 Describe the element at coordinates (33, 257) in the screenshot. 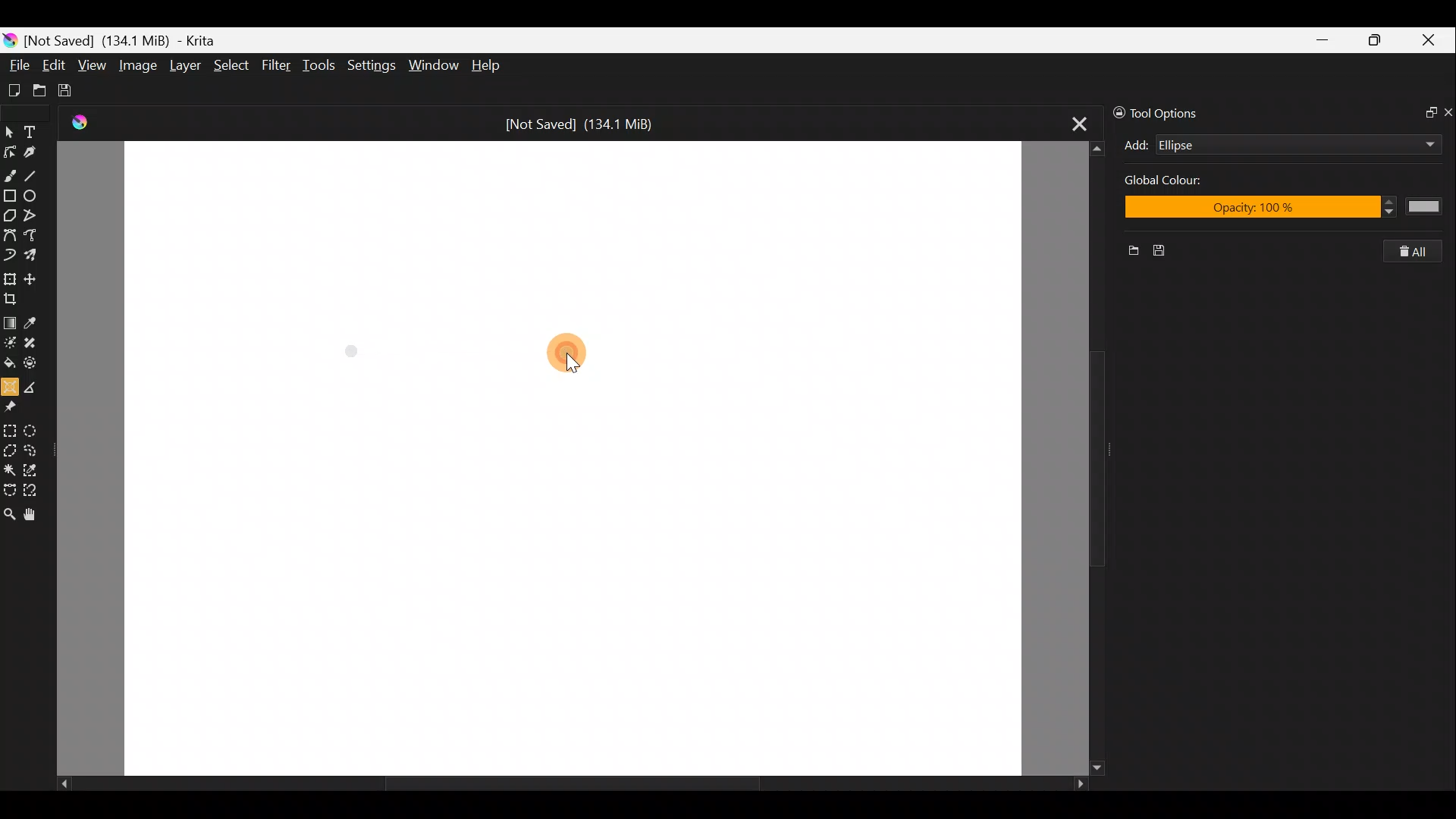

I see `Multibrush tool` at that location.